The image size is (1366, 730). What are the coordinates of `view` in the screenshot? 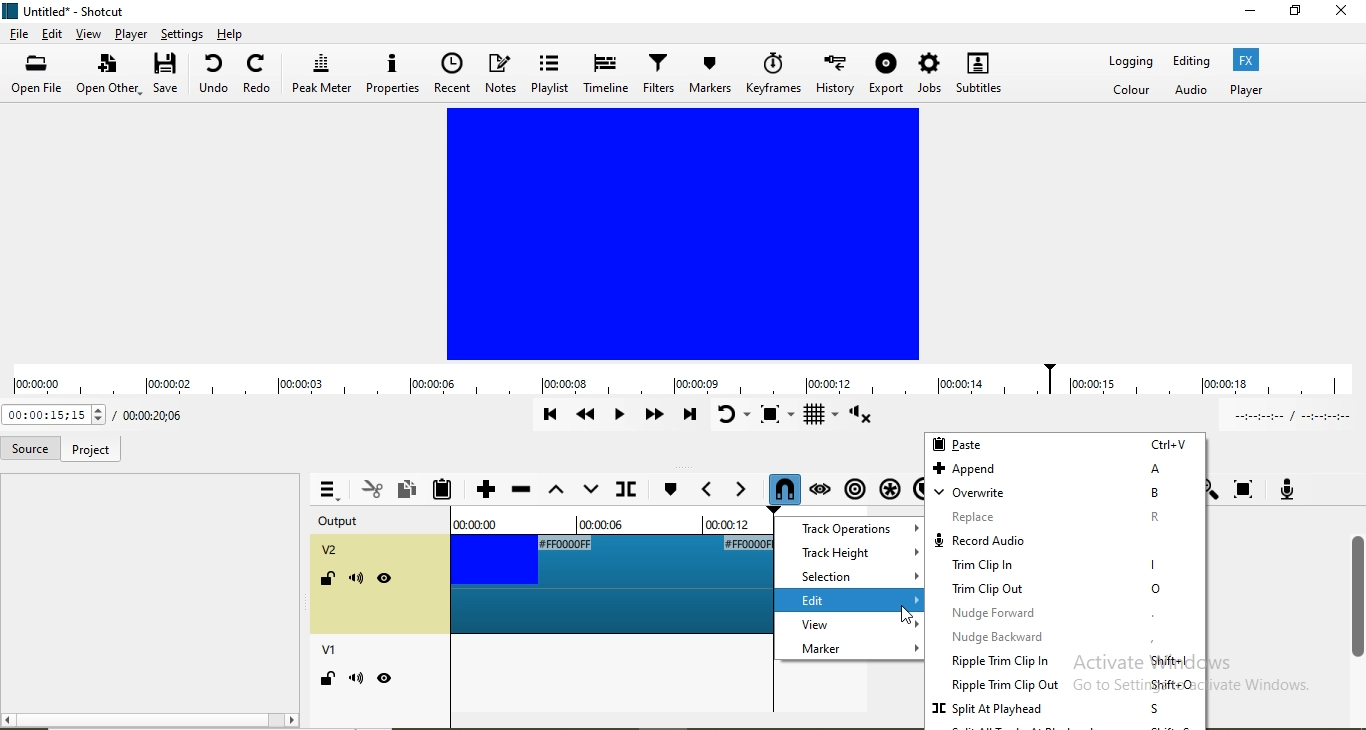 It's located at (848, 627).